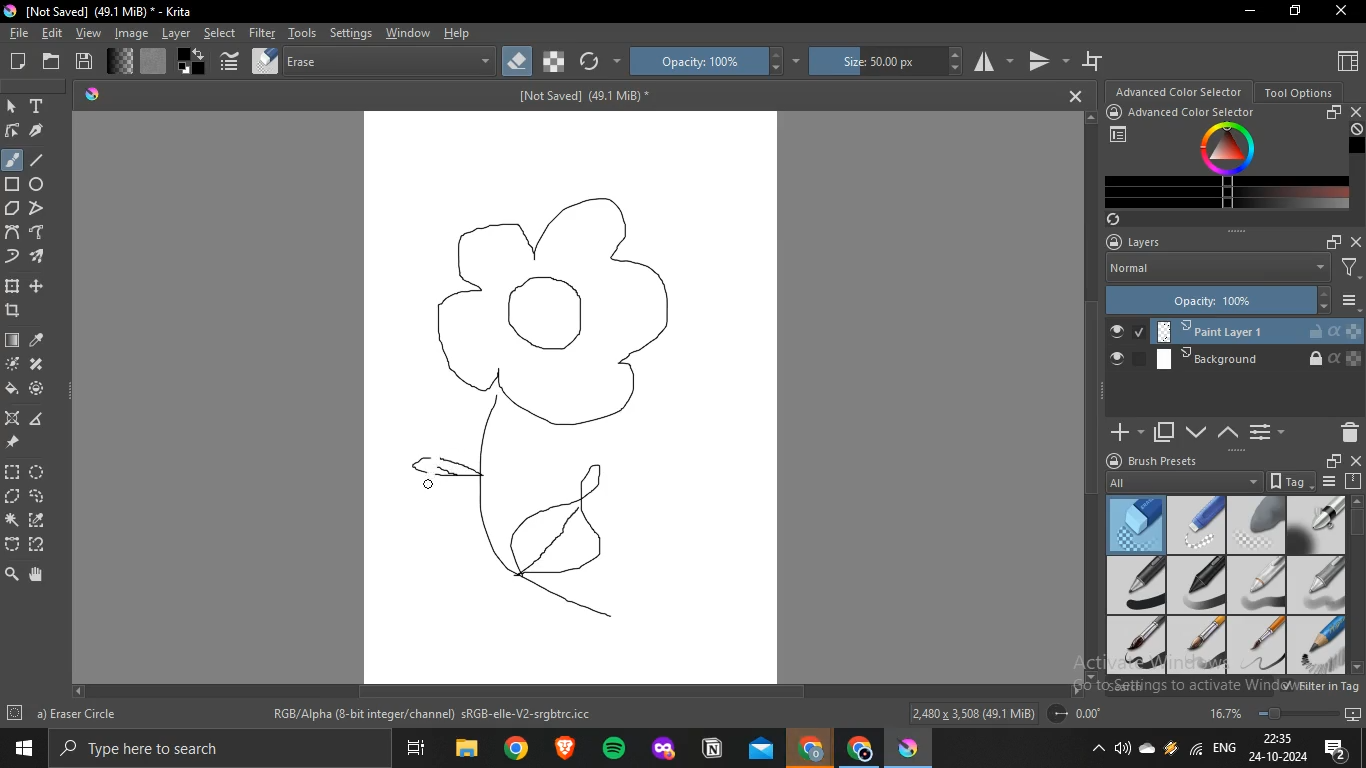 The image size is (1366, 768). I want to click on transform layer, so click(14, 287).